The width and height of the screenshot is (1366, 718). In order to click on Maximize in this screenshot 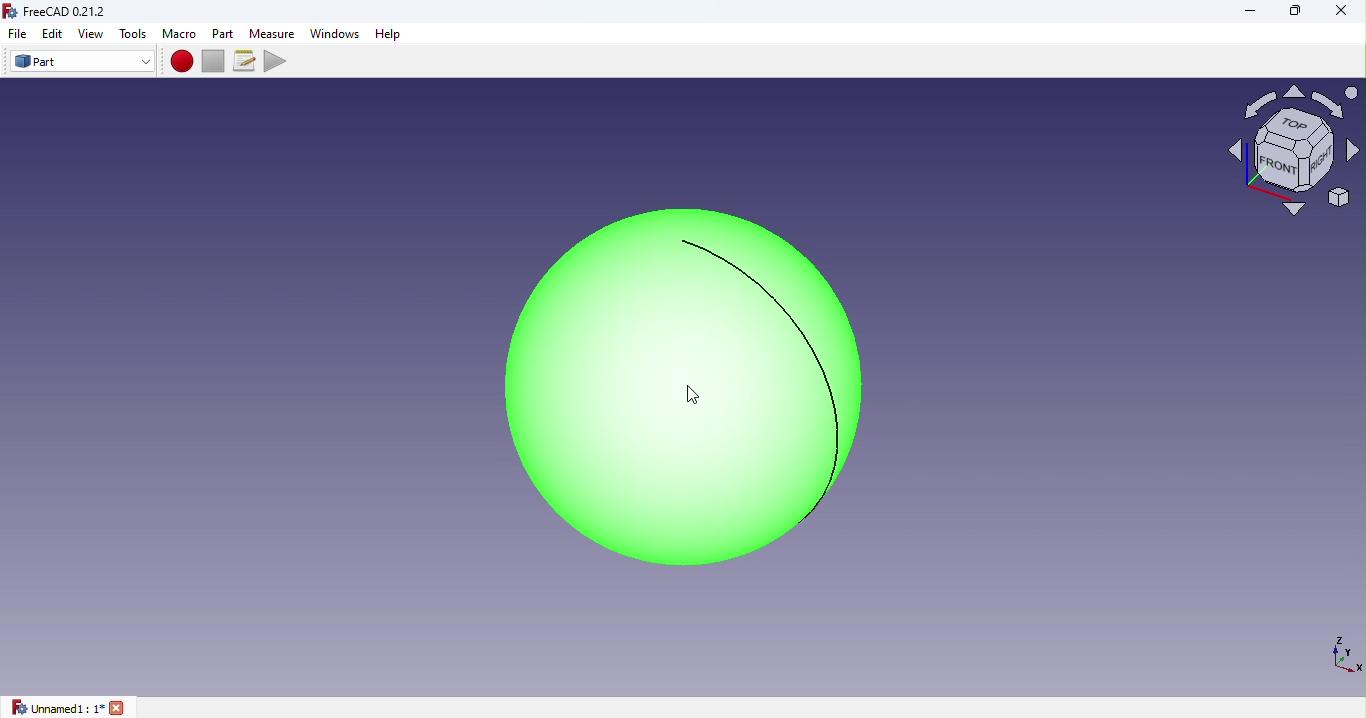, I will do `click(1295, 13)`.